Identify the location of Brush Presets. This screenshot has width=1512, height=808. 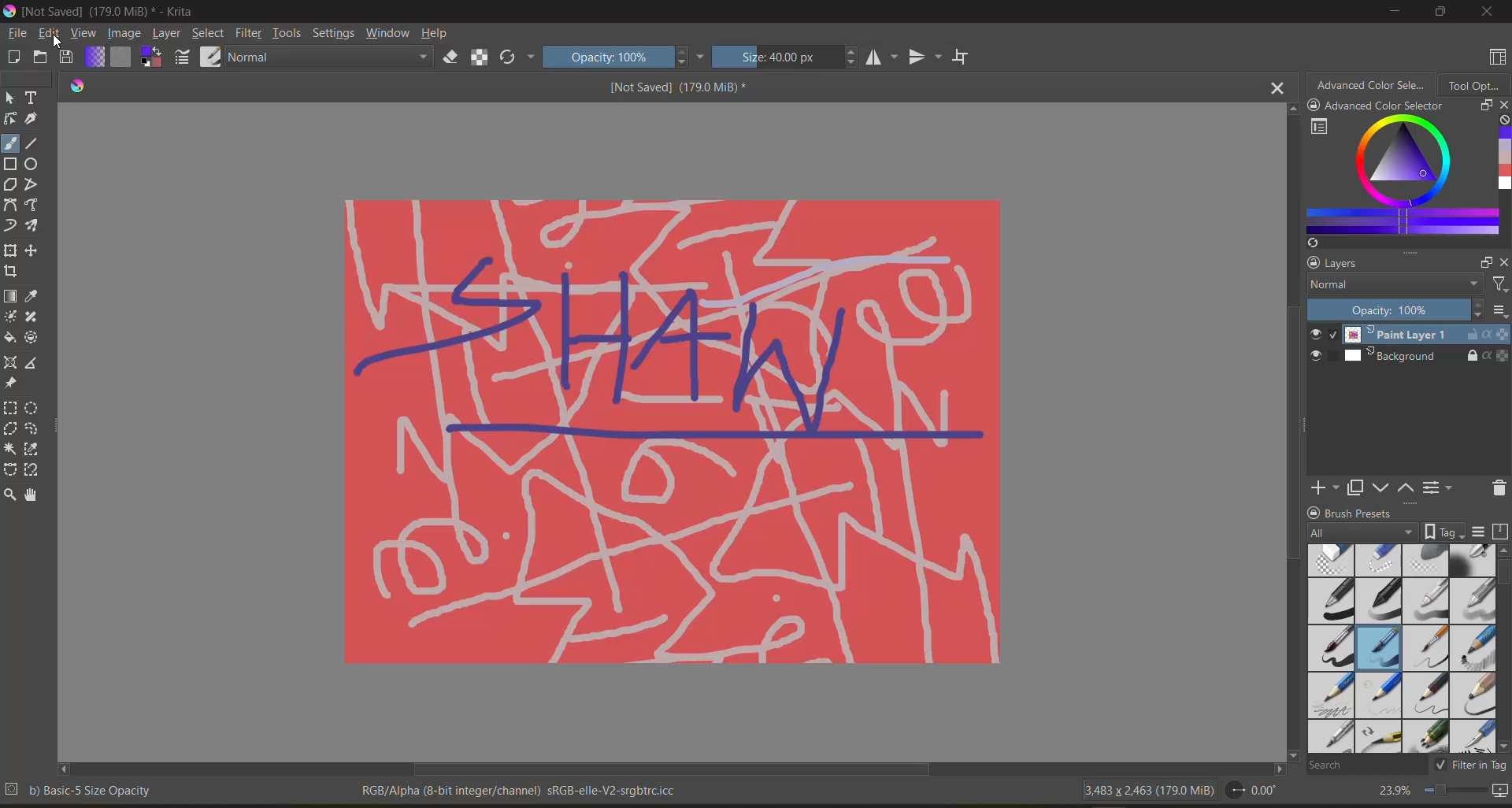
(1362, 512).